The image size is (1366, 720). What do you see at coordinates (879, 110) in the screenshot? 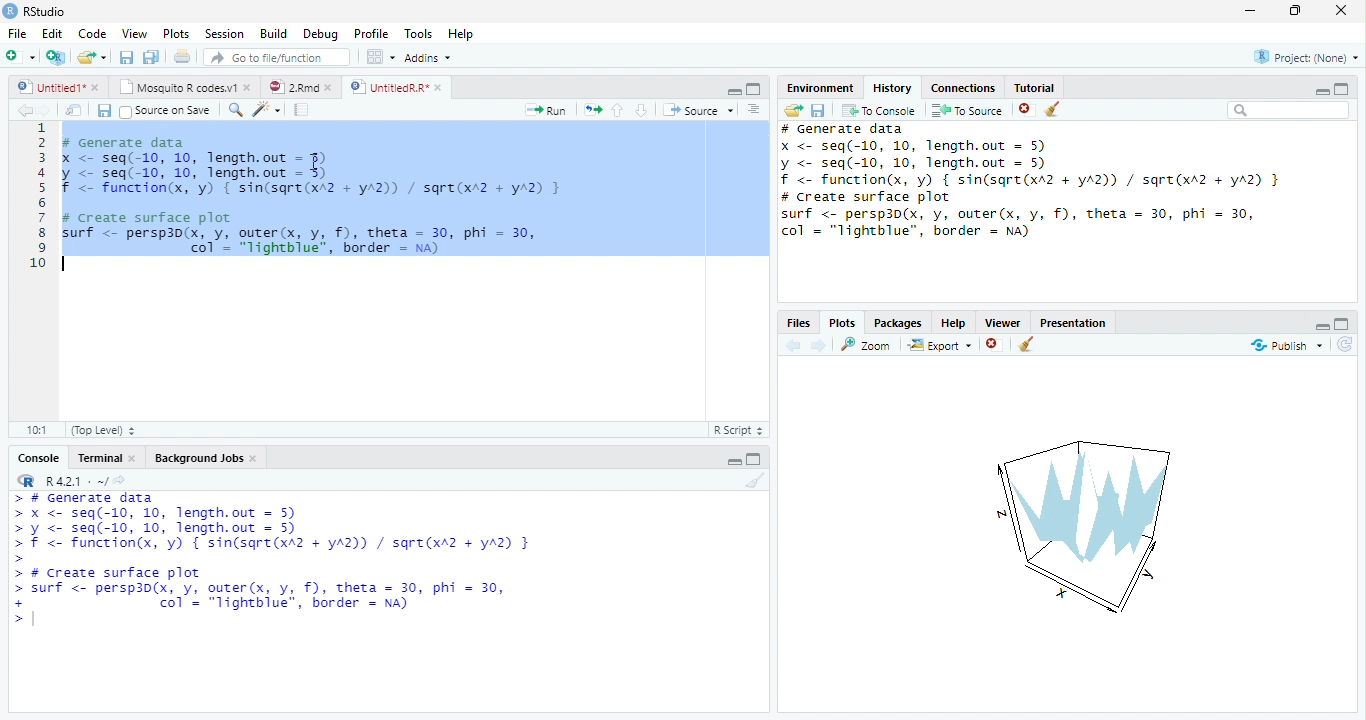
I see `To Console` at bounding box center [879, 110].